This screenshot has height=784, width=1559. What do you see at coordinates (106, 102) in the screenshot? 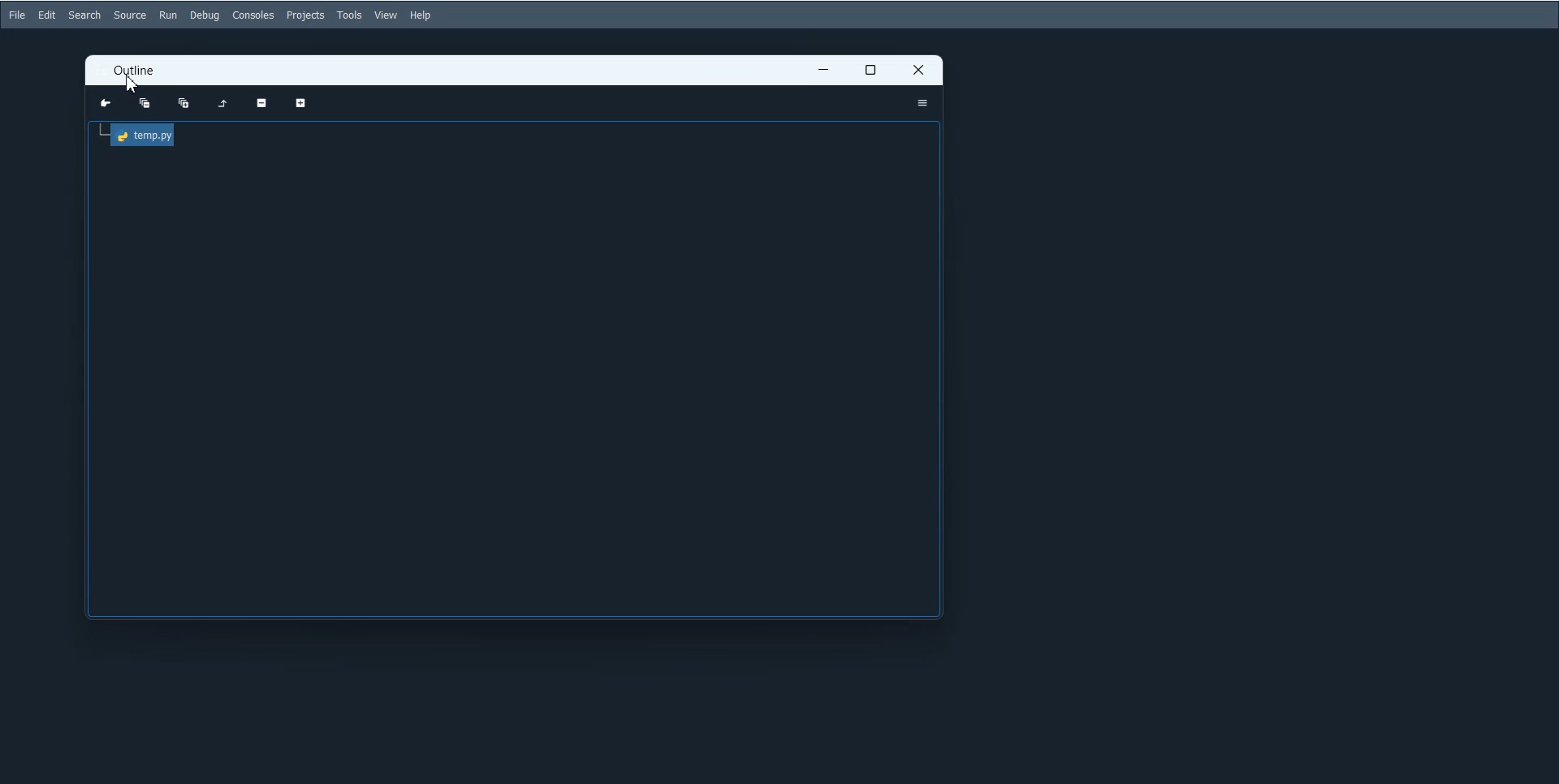
I see `Go to cursor position` at bounding box center [106, 102].